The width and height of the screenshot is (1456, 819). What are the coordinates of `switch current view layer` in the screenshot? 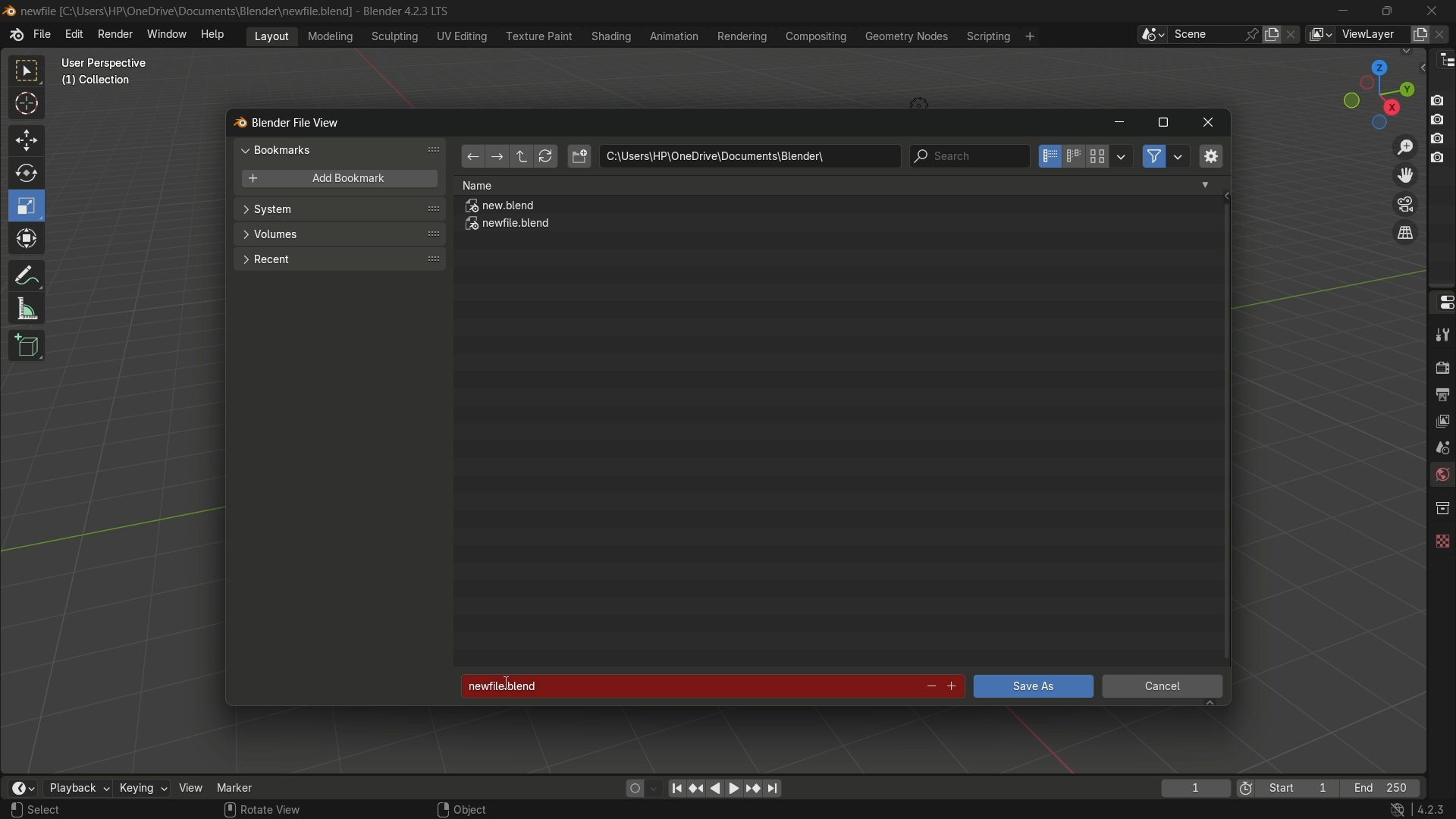 It's located at (1405, 234).